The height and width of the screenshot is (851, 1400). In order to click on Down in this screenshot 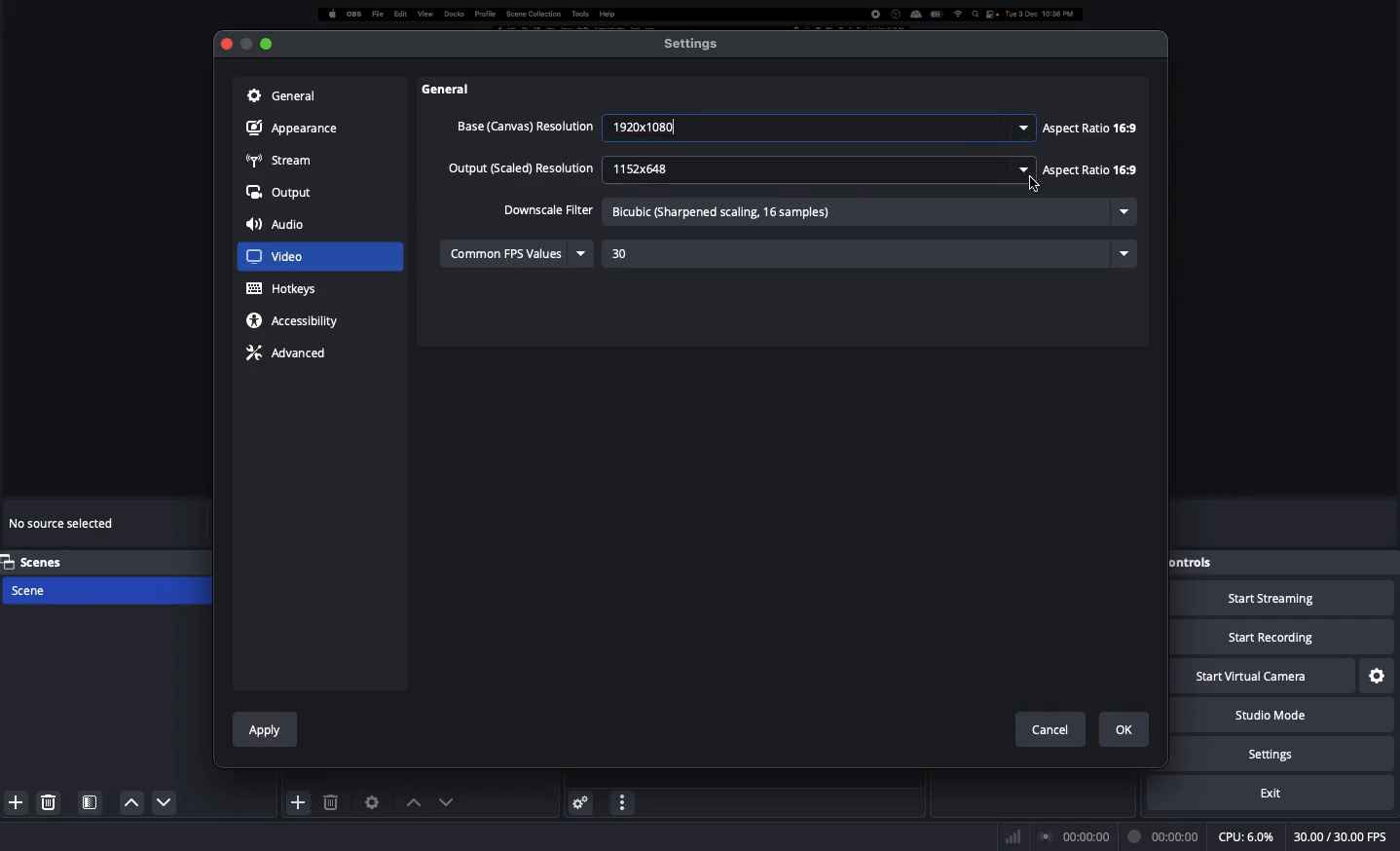, I will do `click(127, 802)`.